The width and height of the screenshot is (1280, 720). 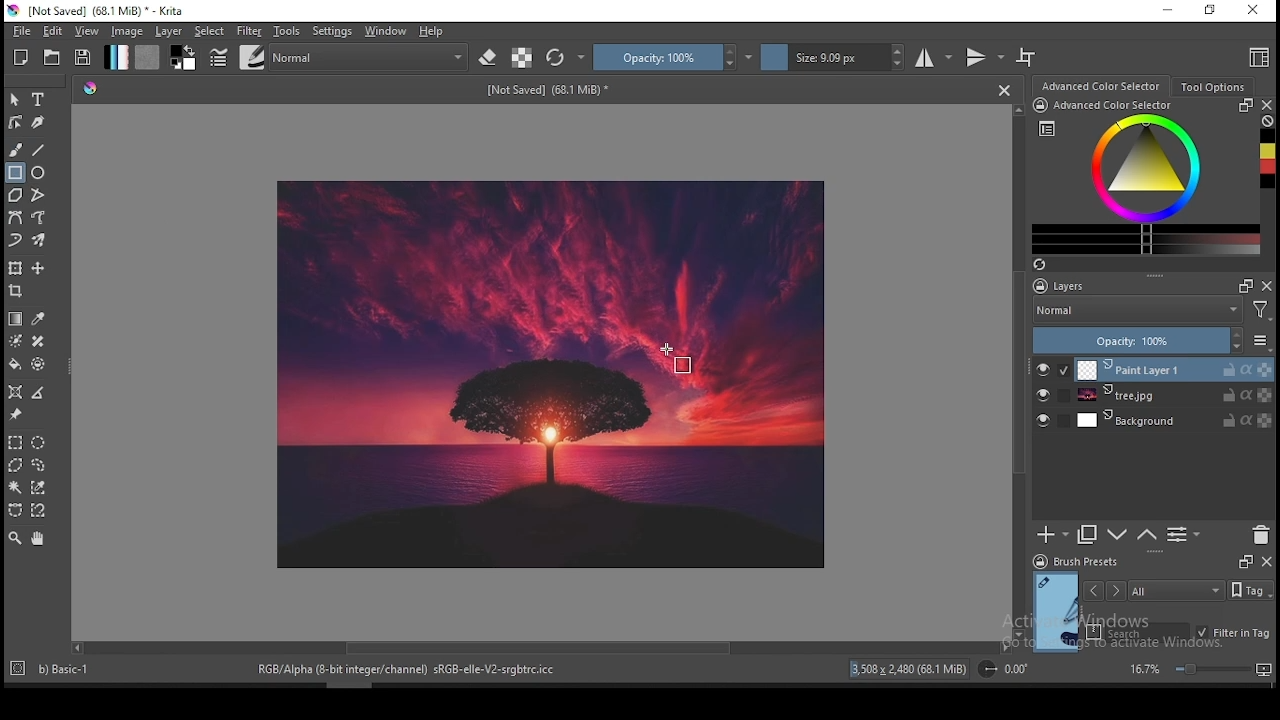 What do you see at coordinates (833, 58) in the screenshot?
I see `size` at bounding box center [833, 58].